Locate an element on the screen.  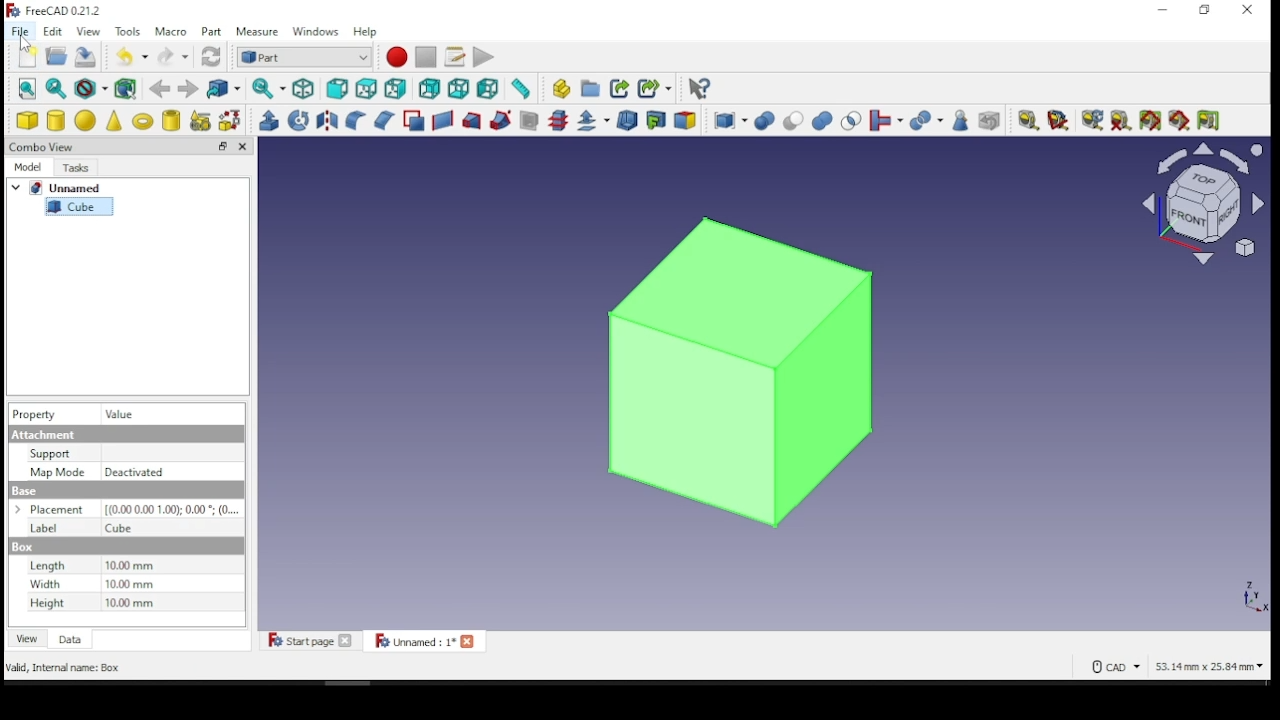
extrude is located at coordinates (269, 121).